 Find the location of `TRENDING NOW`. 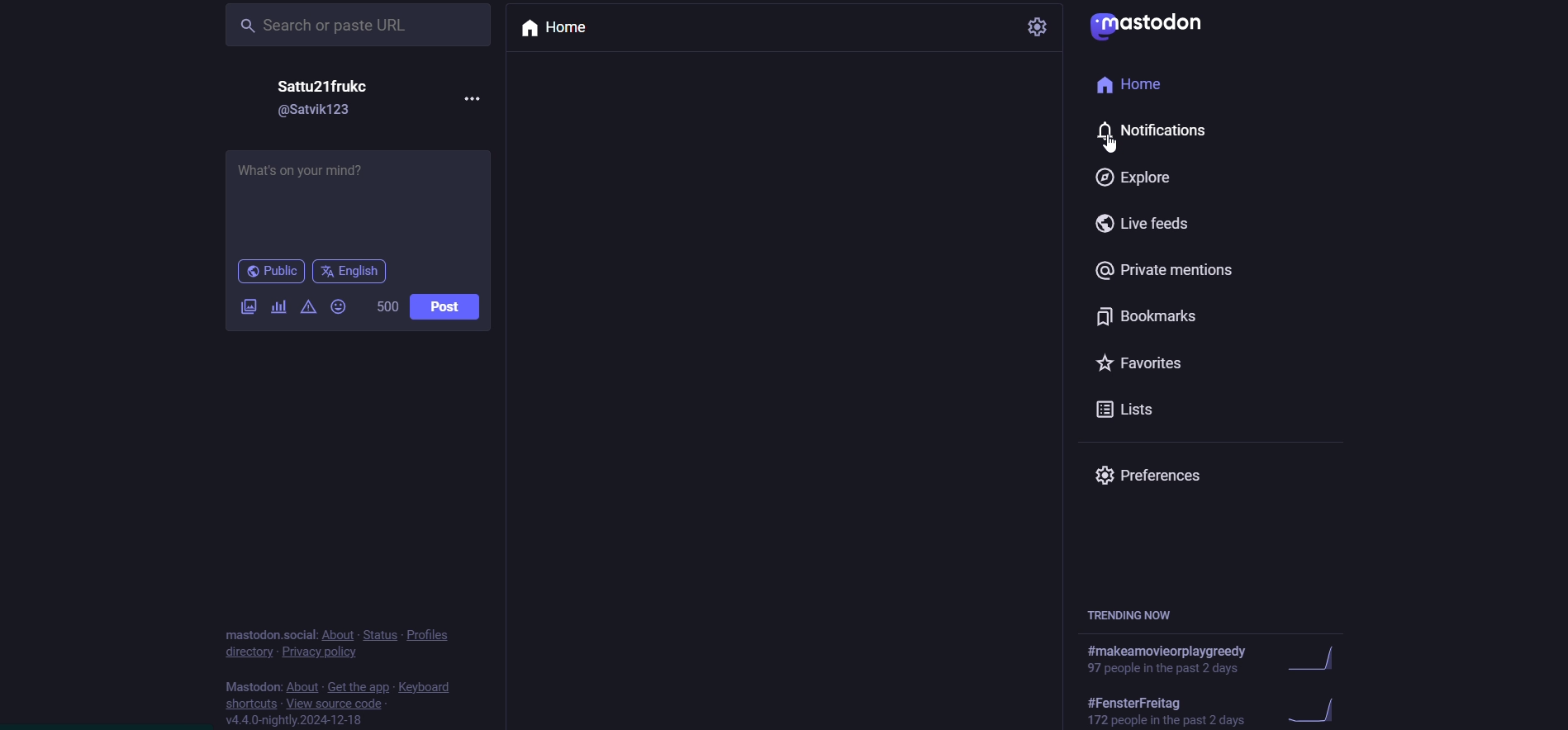

TRENDING NOW is located at coordinates (1131, 614).